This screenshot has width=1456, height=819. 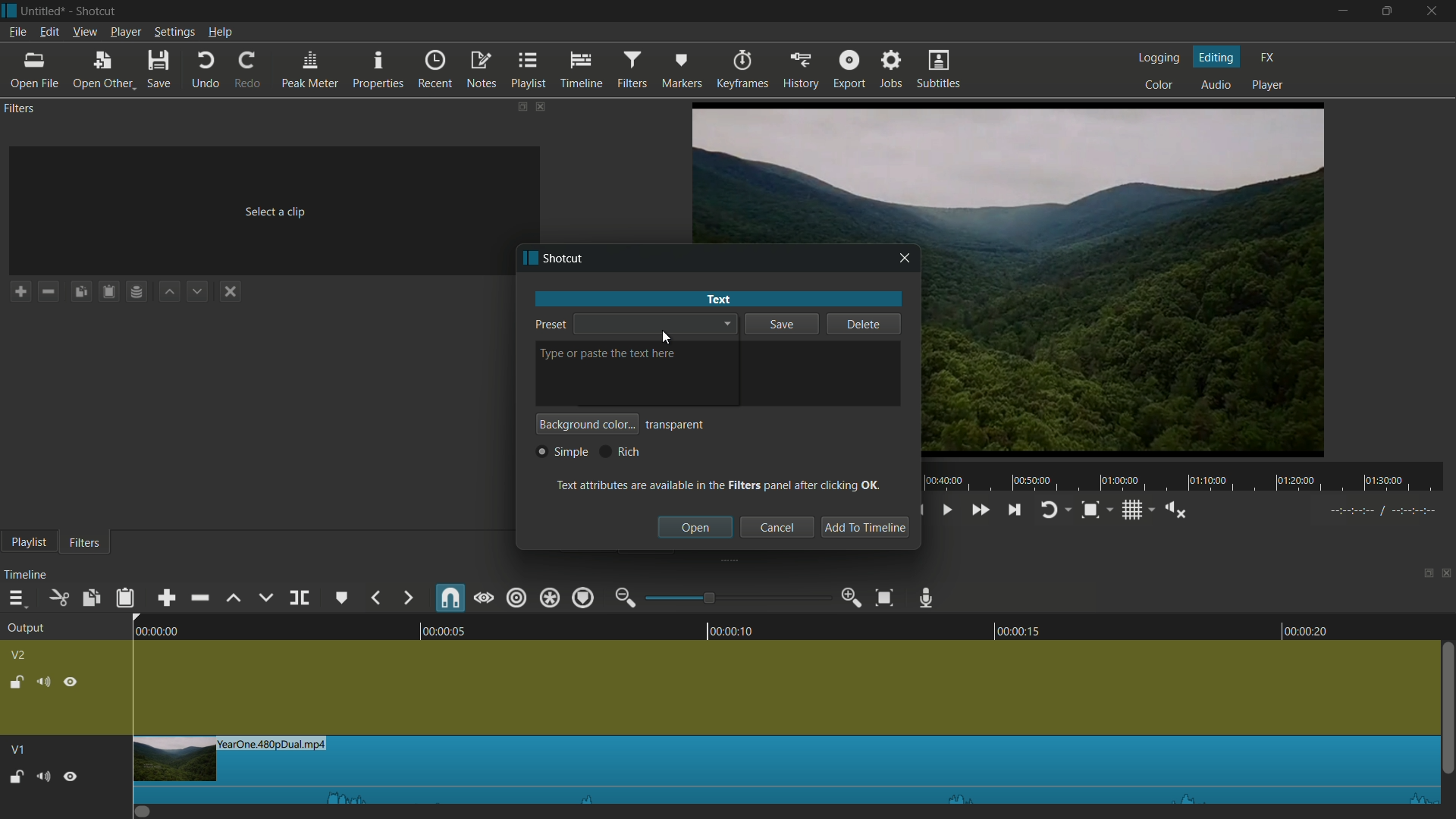 I want to click on 00:00:15, so click(x=1010, y=628).